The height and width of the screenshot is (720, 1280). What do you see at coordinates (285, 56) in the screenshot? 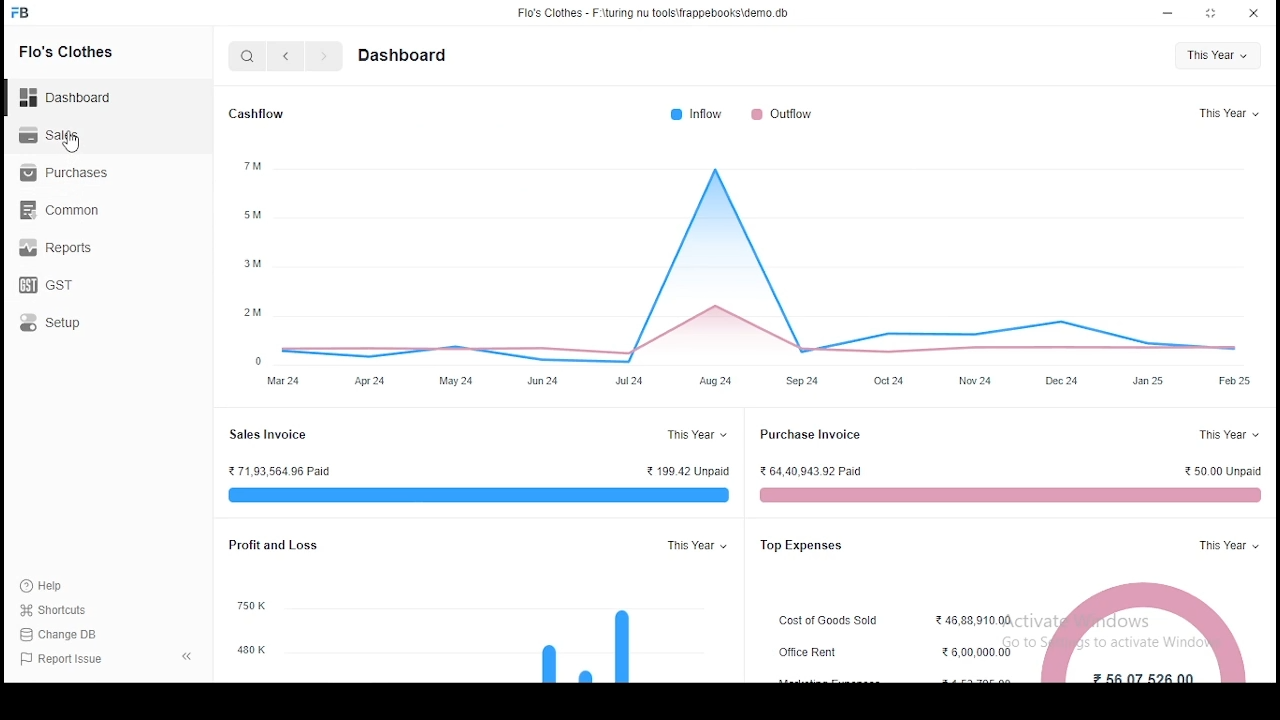
I see `previous` at bounding box center [285, 56].